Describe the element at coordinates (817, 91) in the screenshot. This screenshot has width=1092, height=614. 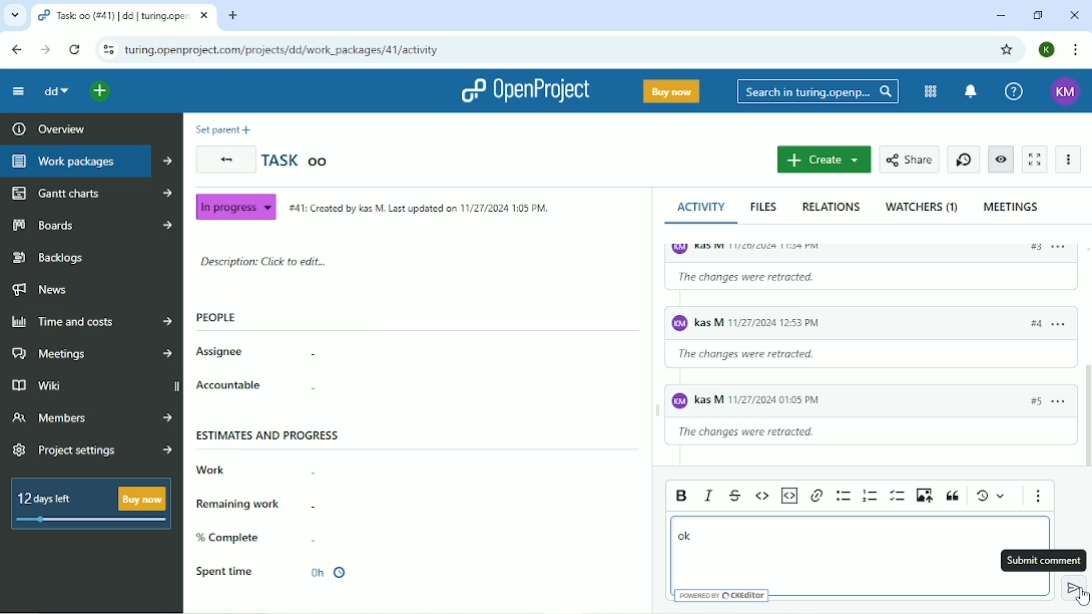
I see `Search in turing.openprojects.com` at that location.